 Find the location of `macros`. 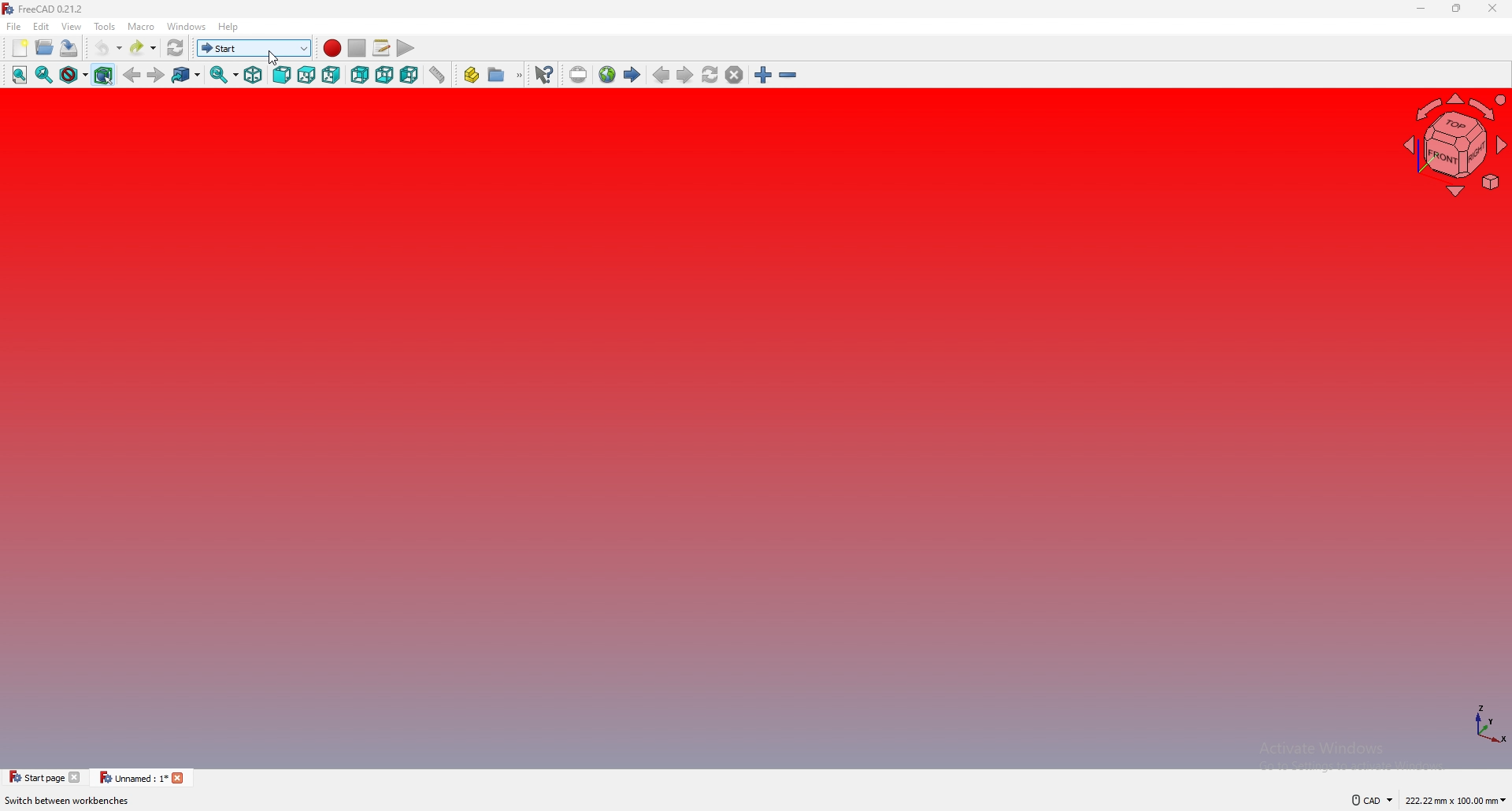

macros is located at coordinates (382, 48).